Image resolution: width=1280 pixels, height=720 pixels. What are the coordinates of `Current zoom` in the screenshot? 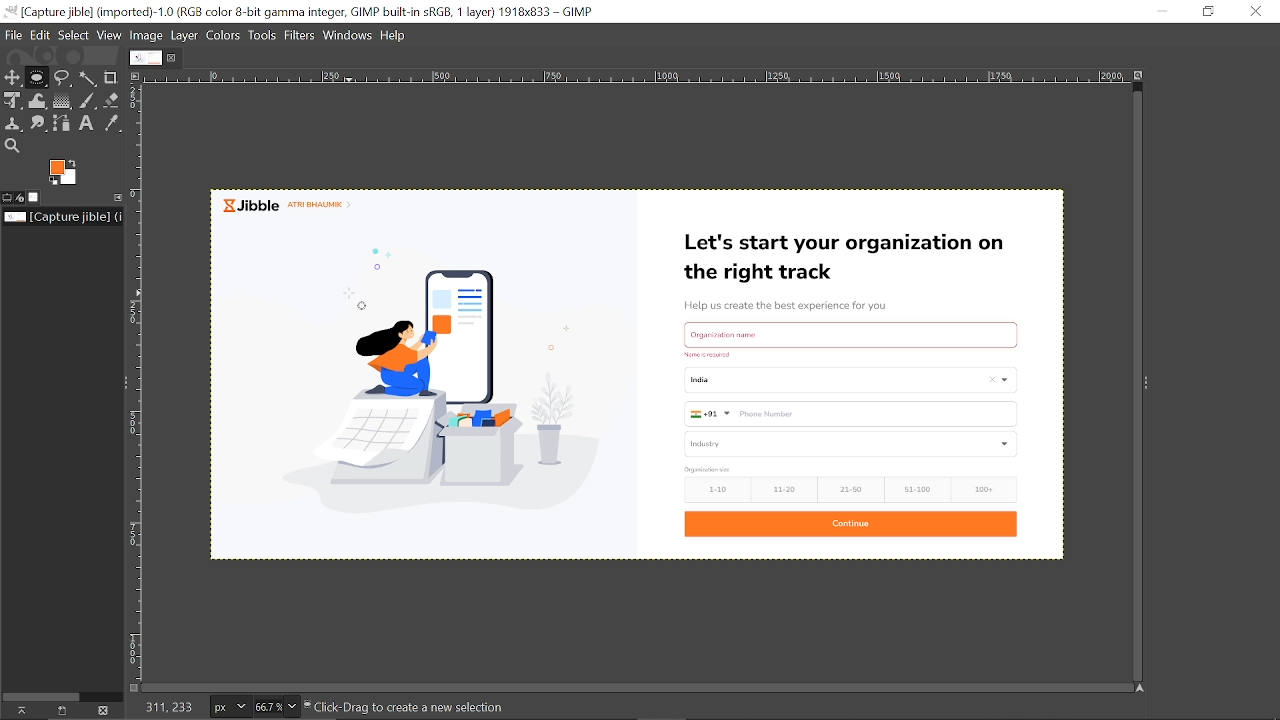 It's located at (266, 707).